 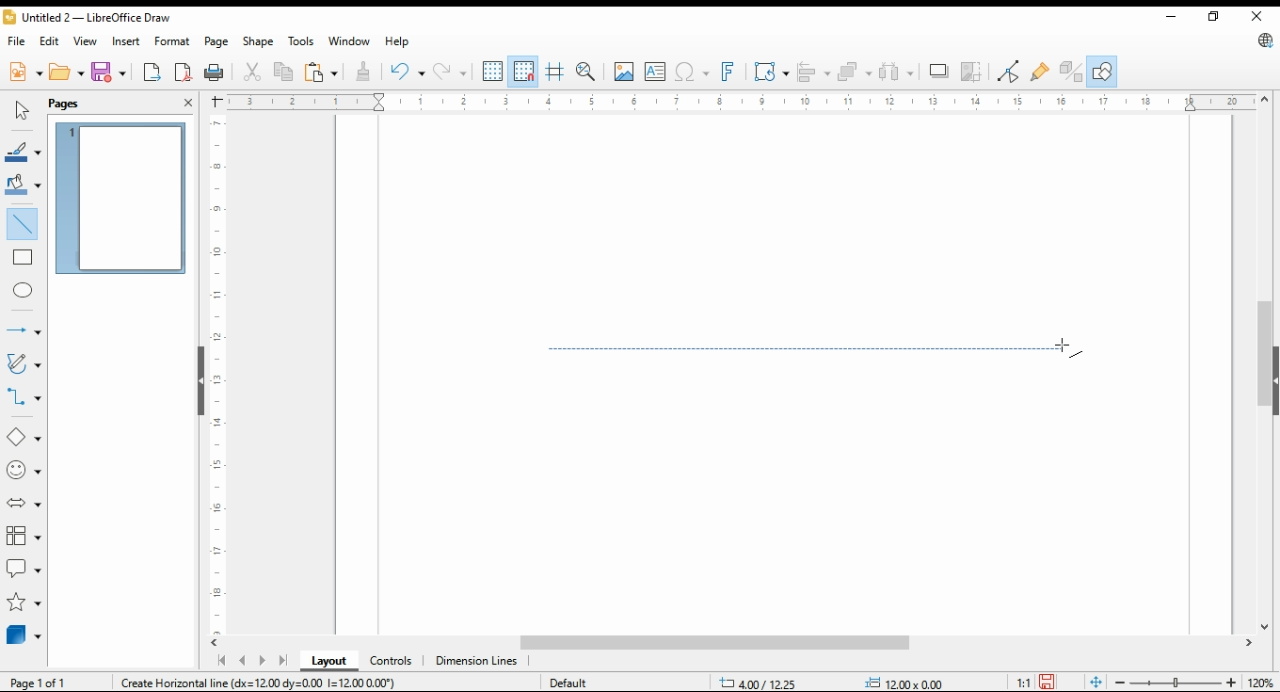 What do you see at coordinates (726, 72) in the screenshot?
I see `insert fontwork text` at bounding box center [726, 72].